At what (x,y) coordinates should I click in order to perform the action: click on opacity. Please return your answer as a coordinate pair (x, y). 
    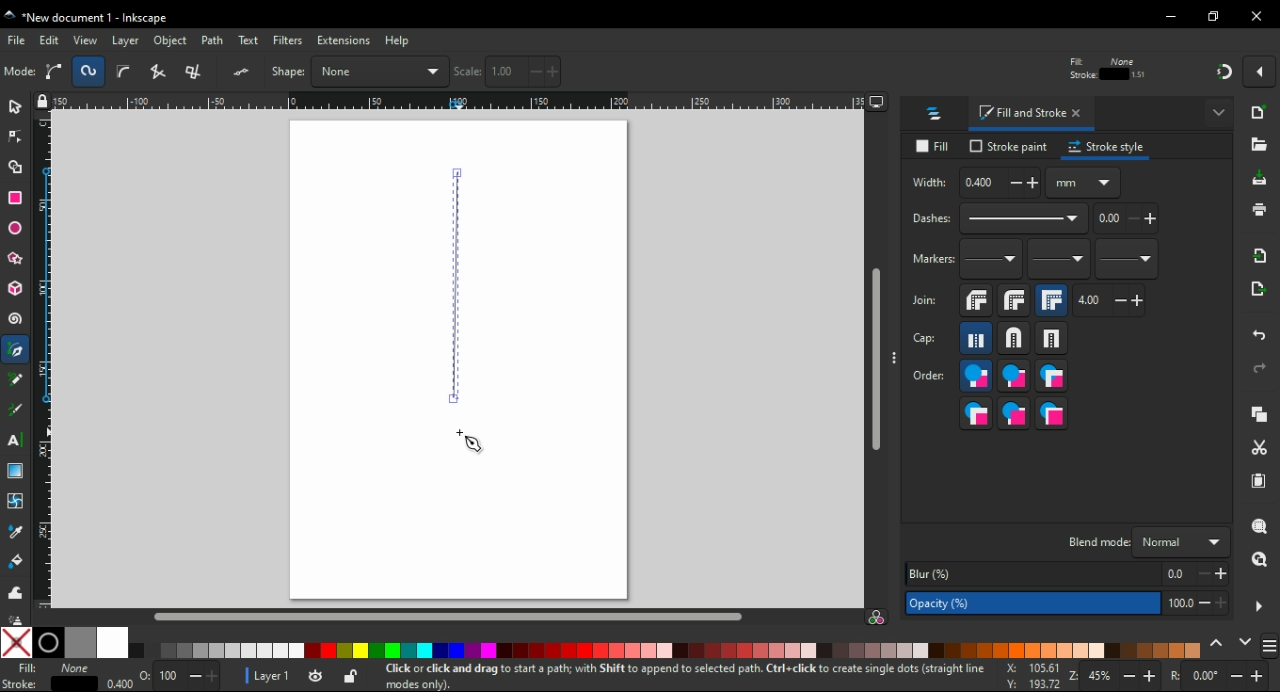
    Looking at the image, I should click on (1065, 605).